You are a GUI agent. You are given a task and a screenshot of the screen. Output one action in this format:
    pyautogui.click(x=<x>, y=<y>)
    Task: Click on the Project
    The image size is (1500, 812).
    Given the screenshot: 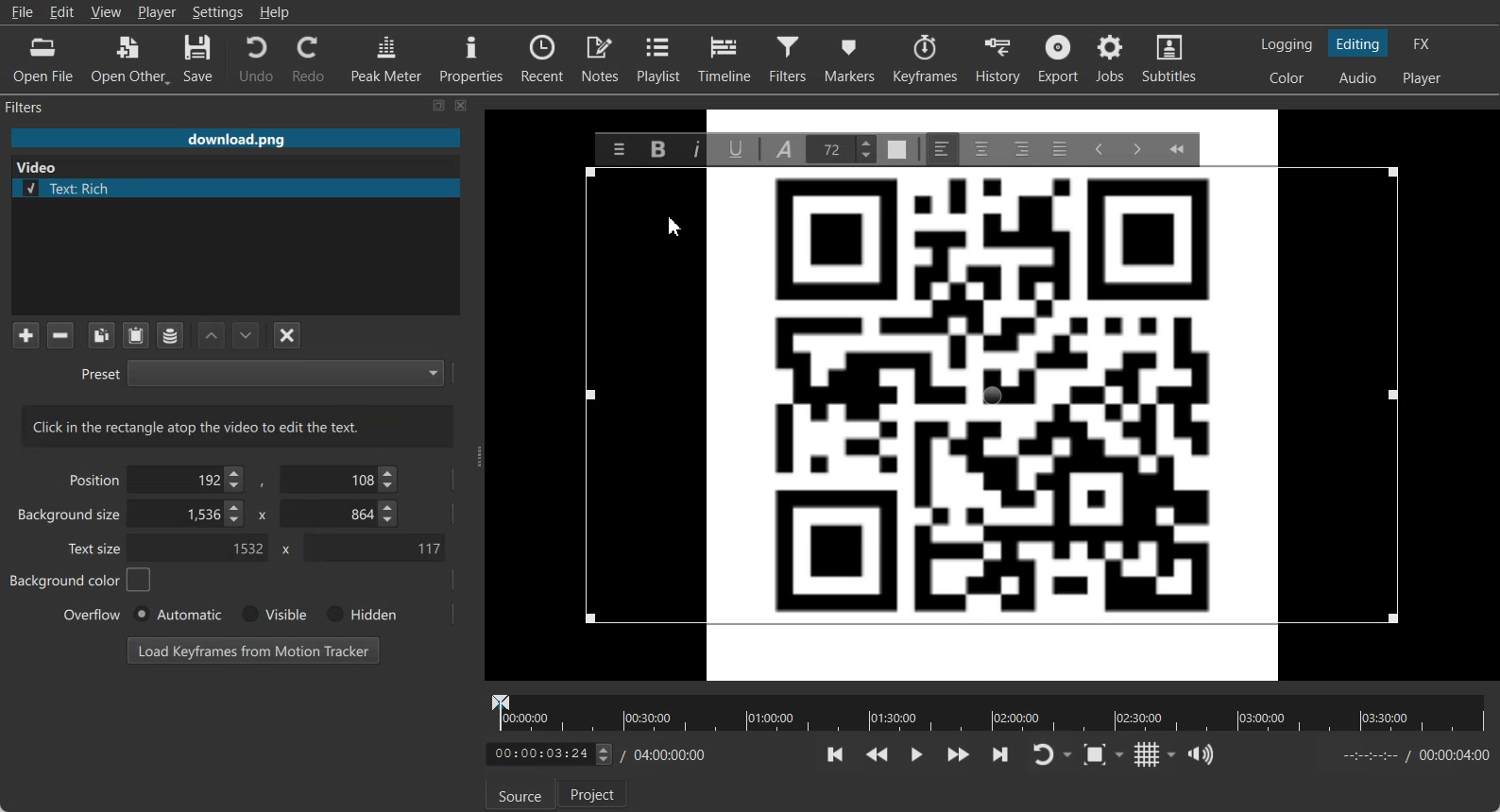 What is the action you would take?
    pyautogui.click(x=594, y=793)
    